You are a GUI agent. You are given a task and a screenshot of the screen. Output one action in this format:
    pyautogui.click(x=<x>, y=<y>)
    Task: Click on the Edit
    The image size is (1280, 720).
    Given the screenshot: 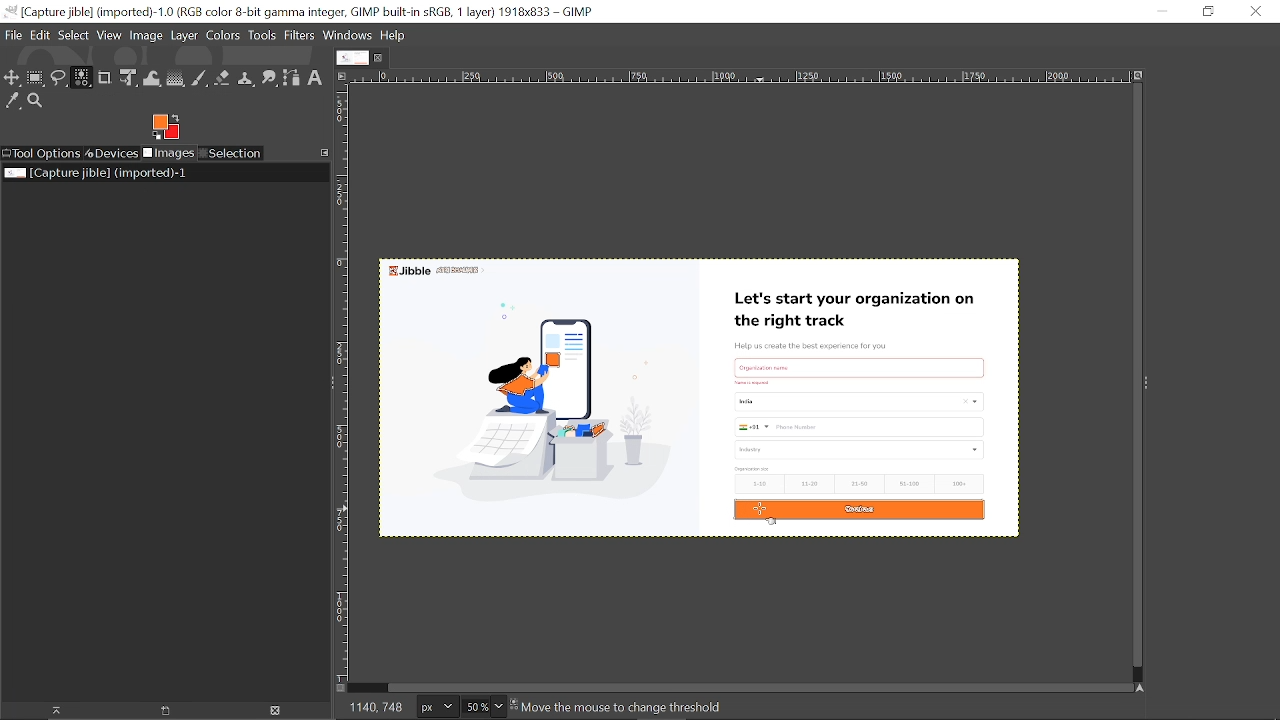 What is the action you would take?
    pyautogui.click(x=41, y=34)
    